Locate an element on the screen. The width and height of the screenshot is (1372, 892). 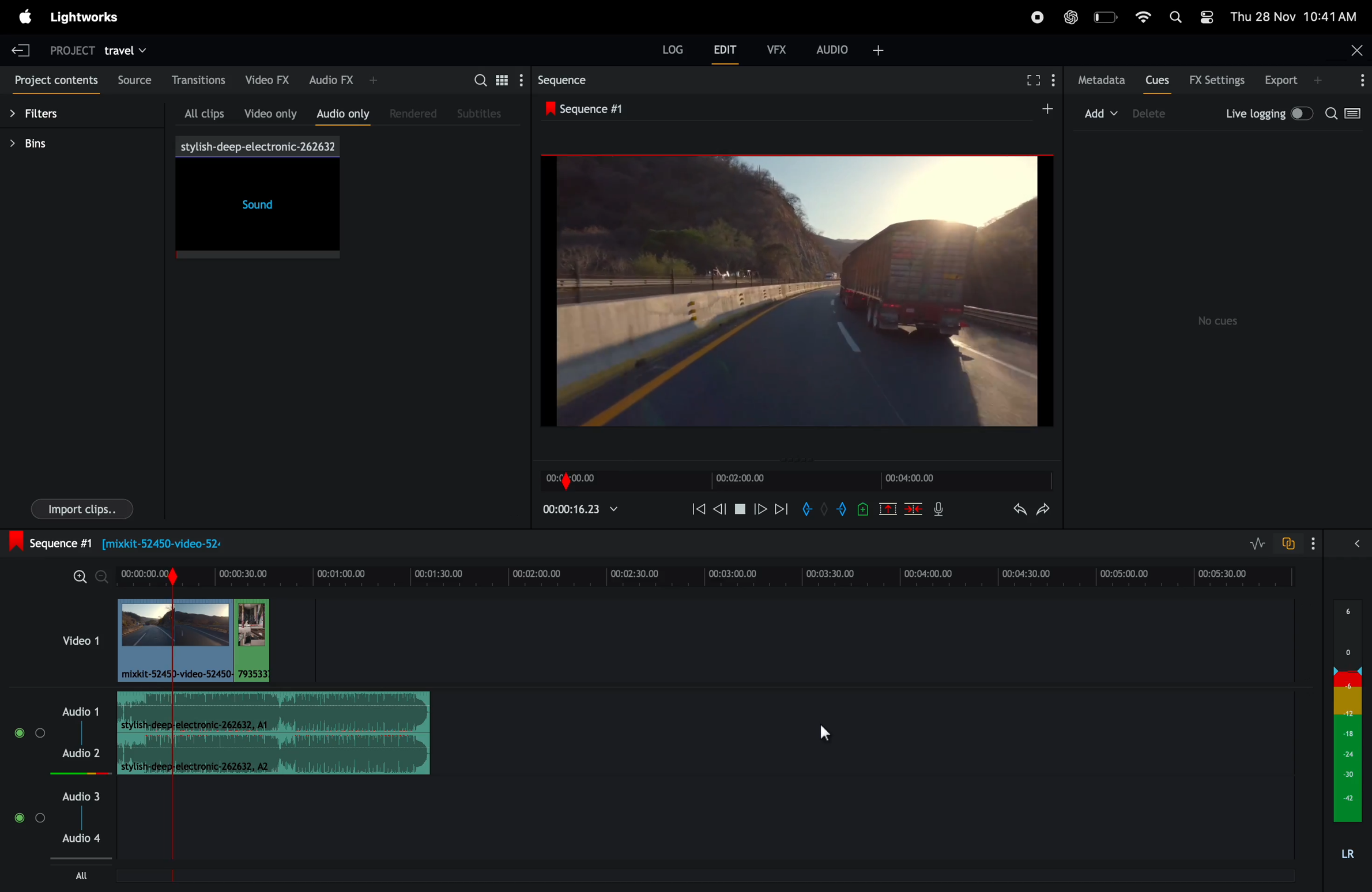
Fx settings is located at coordinates (1218, 79).